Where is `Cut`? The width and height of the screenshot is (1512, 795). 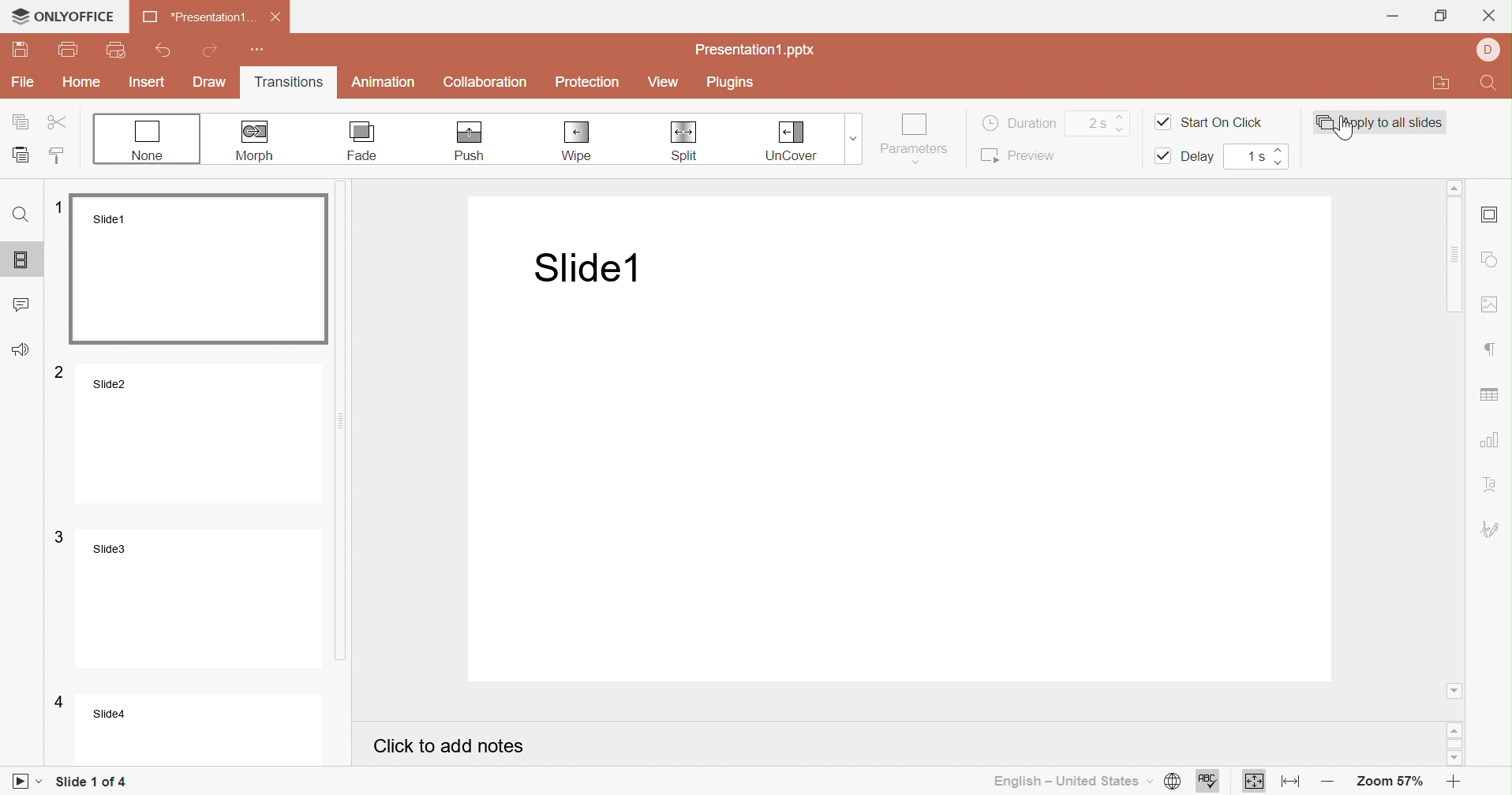 Cut is located at coordinates (62, 124).